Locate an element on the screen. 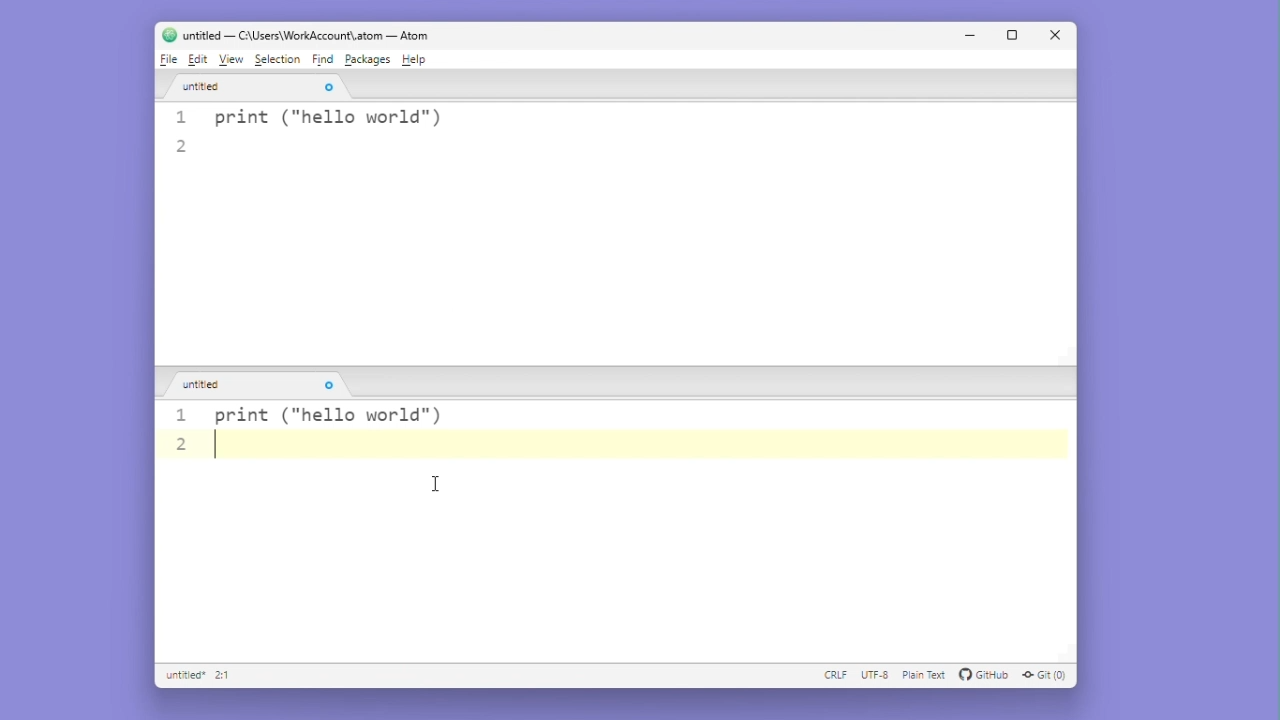 This screenshot has width=1280, height=720. Maximize is located at coordinates (1014, 37).